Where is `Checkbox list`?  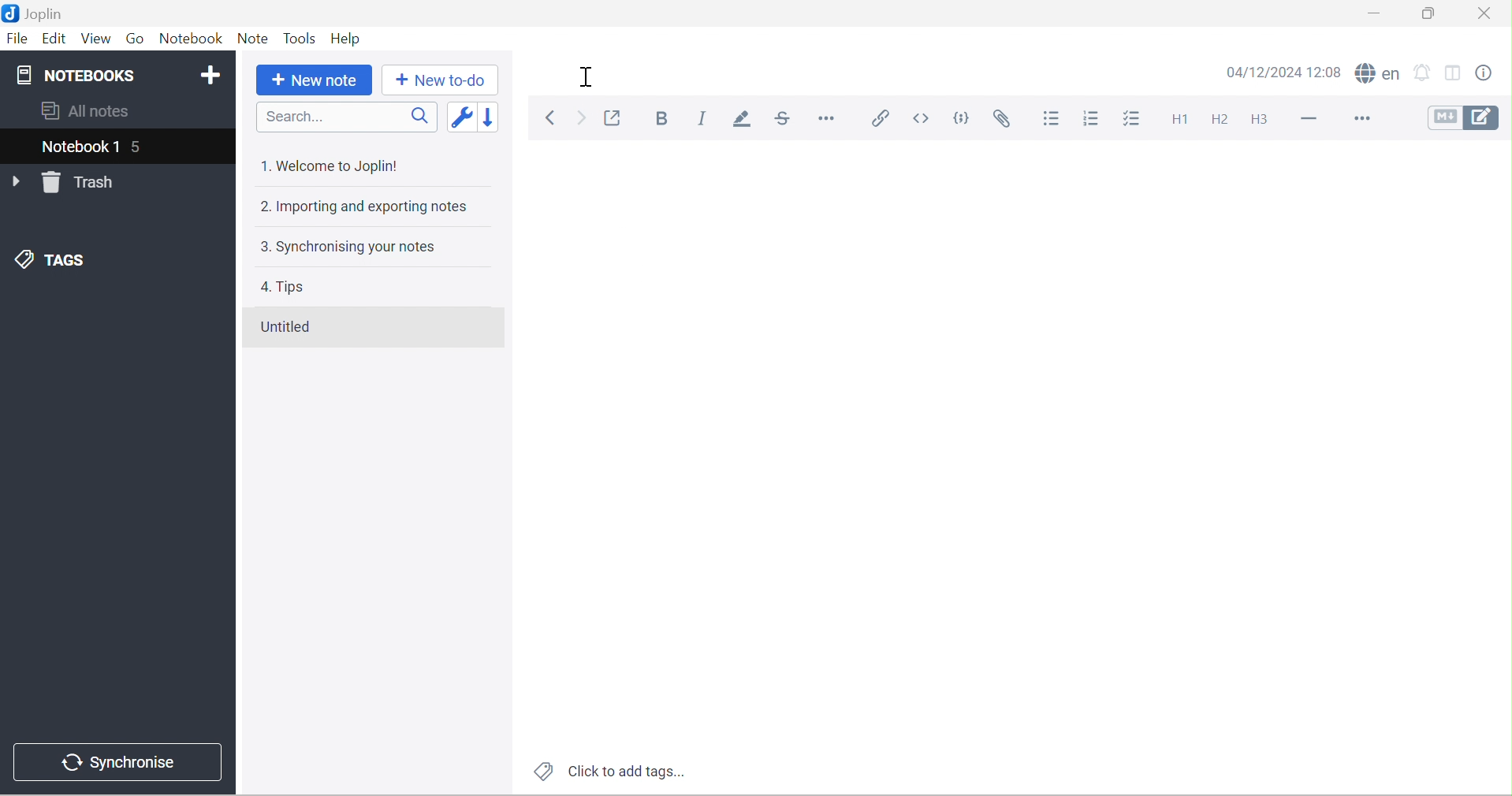
Checkbox list is located at coordinates (1130, 118).